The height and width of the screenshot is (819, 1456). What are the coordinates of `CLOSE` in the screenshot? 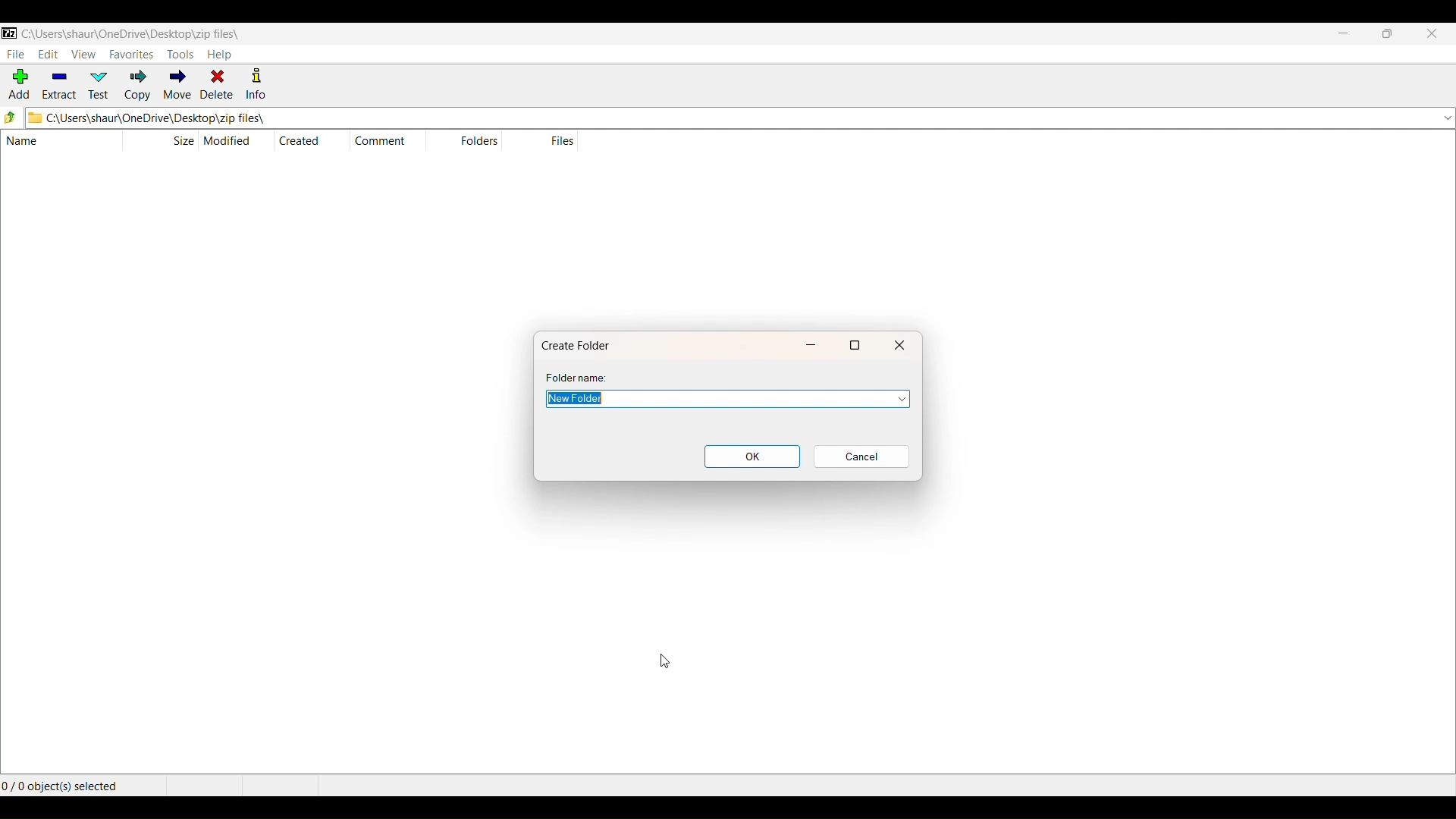 It's located at (1431, 35).